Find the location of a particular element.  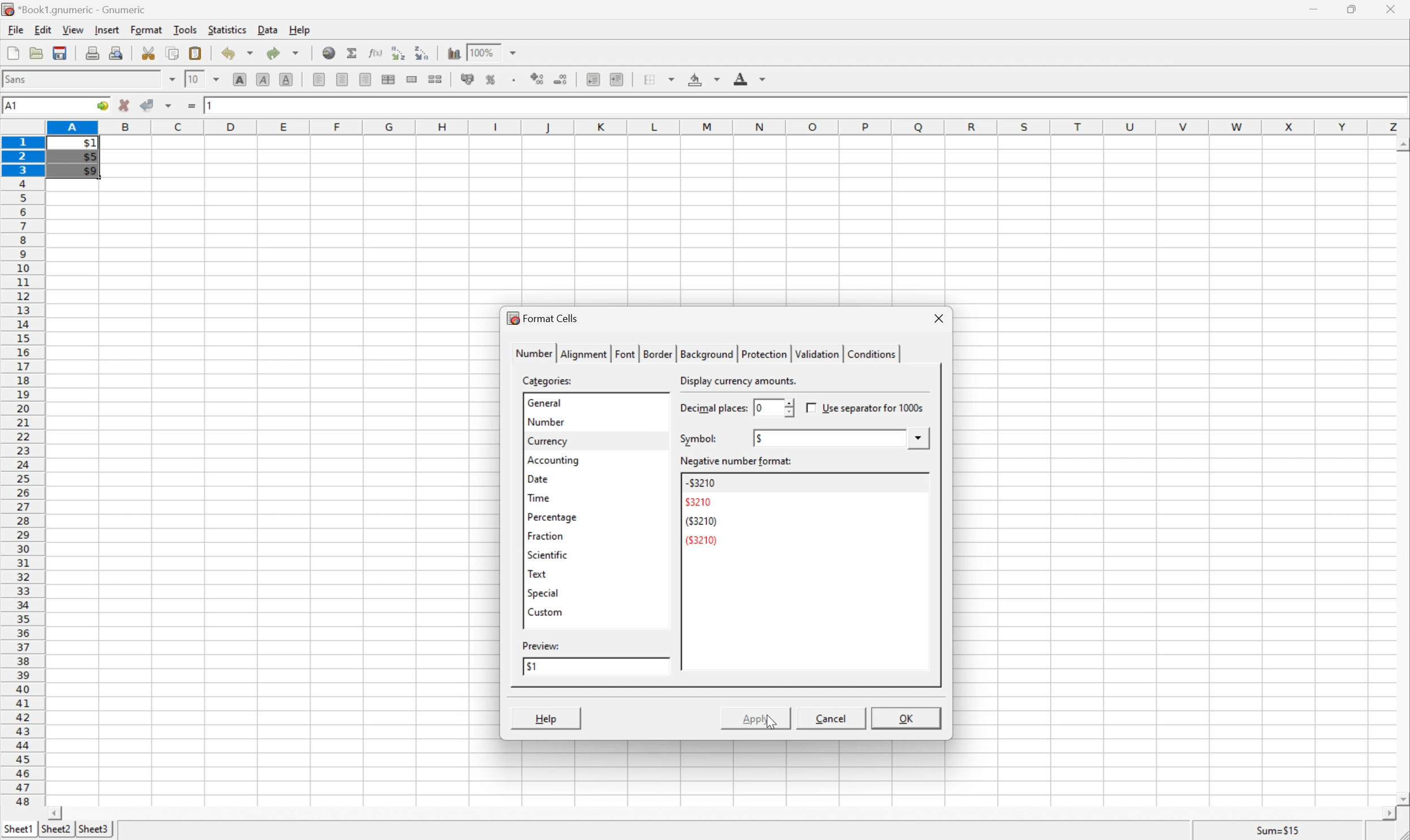

enter formula is located at coordinates (192, 106).